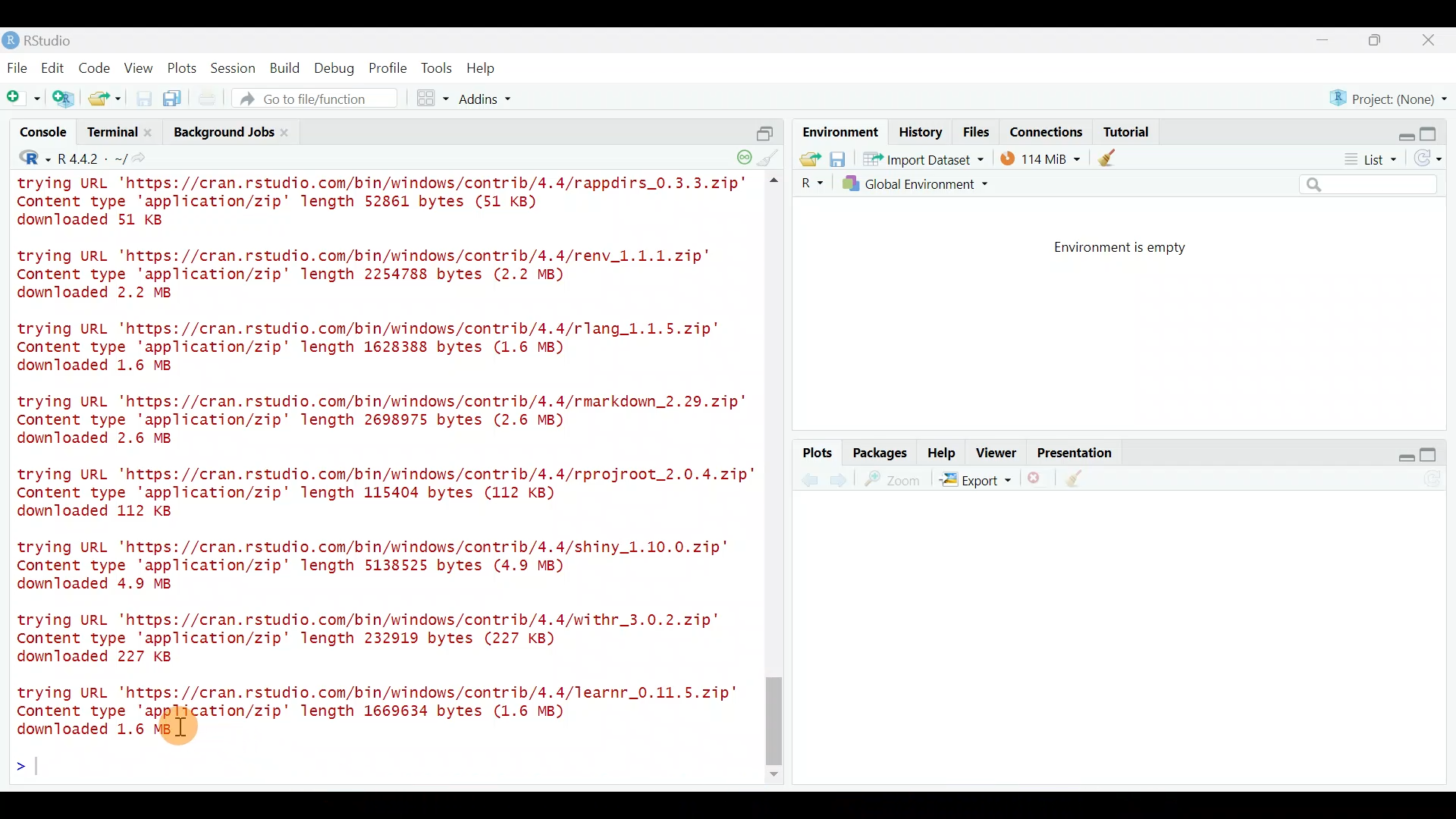  Describe the element at coordinates (1437, 480) in the screenshot. I see `Refresh current plot` at that location.